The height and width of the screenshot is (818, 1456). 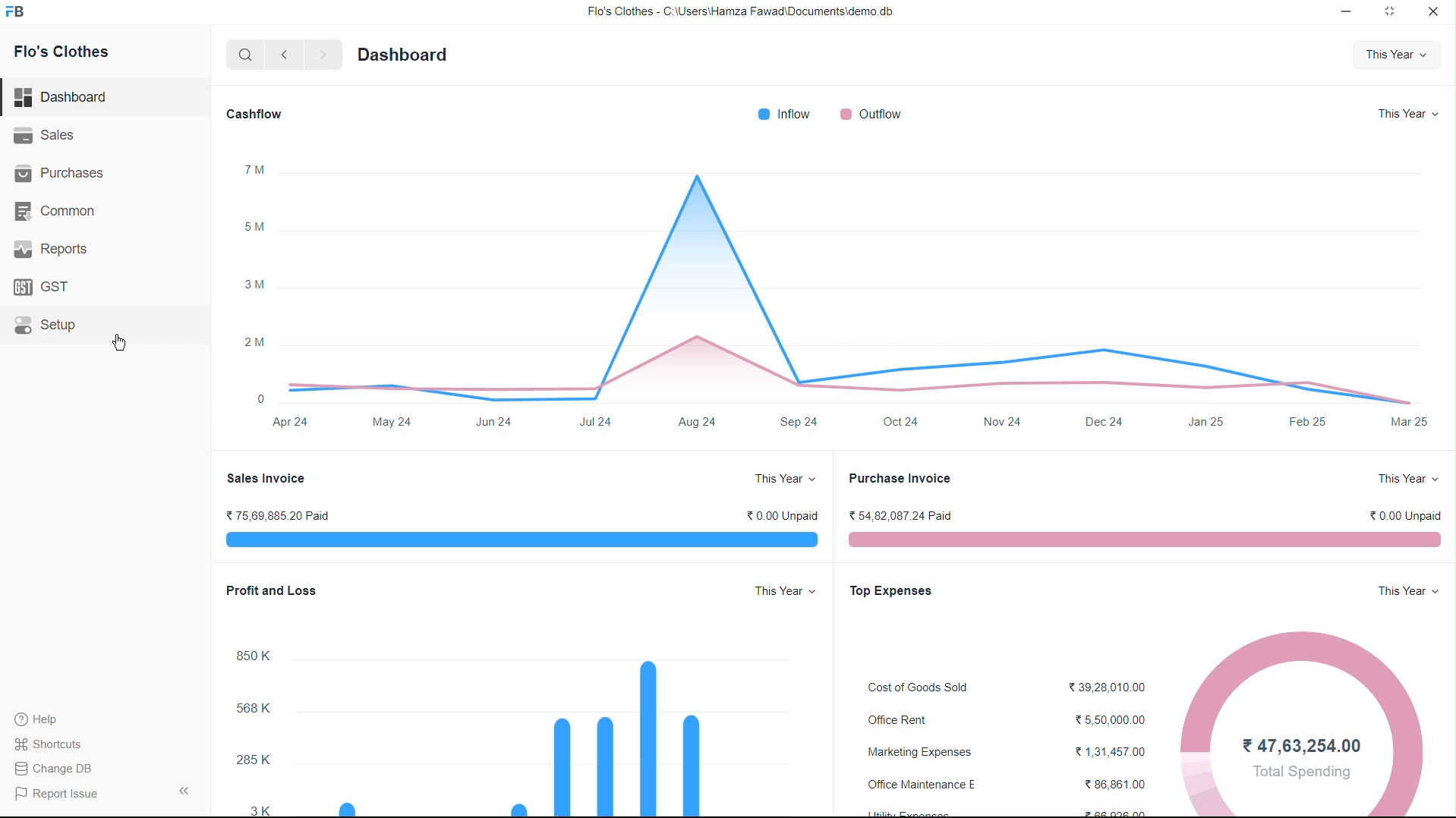 I want to click on Dashboard, so click(x=405, y=55).